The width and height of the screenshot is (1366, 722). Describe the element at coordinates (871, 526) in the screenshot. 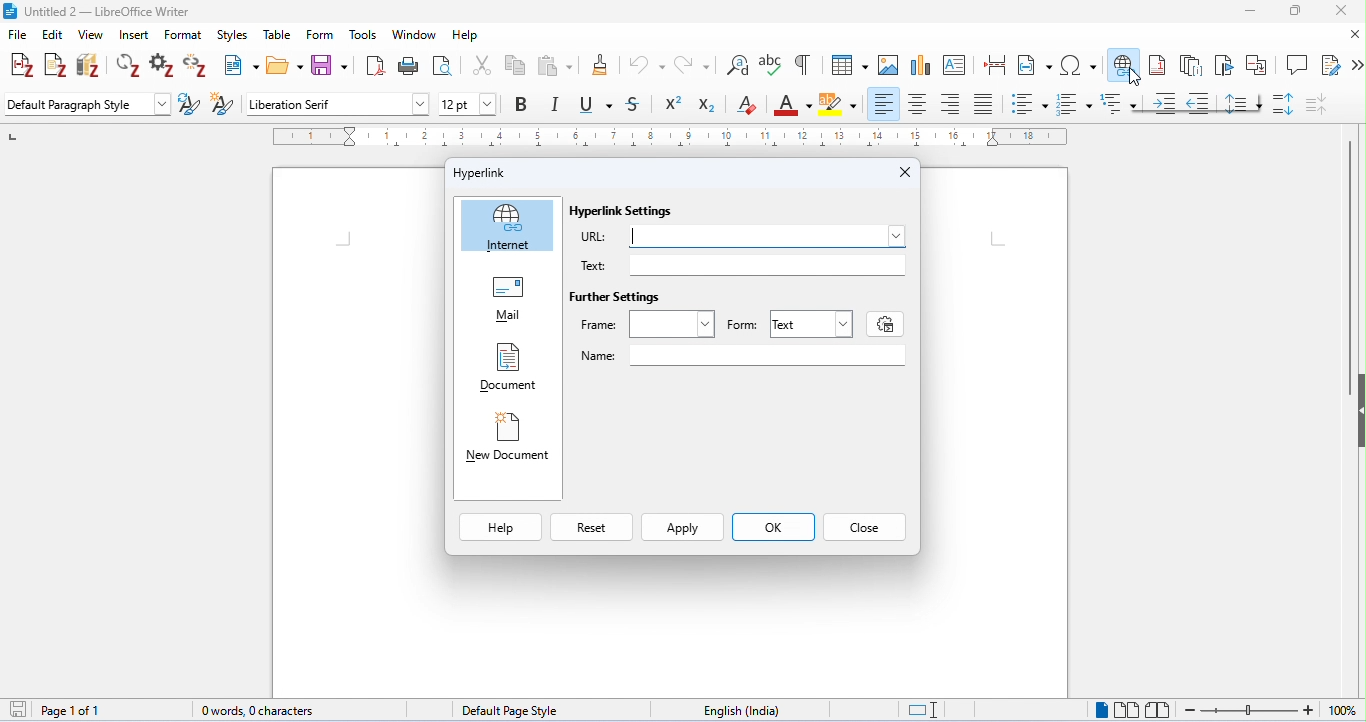

I see `Close` at that location.